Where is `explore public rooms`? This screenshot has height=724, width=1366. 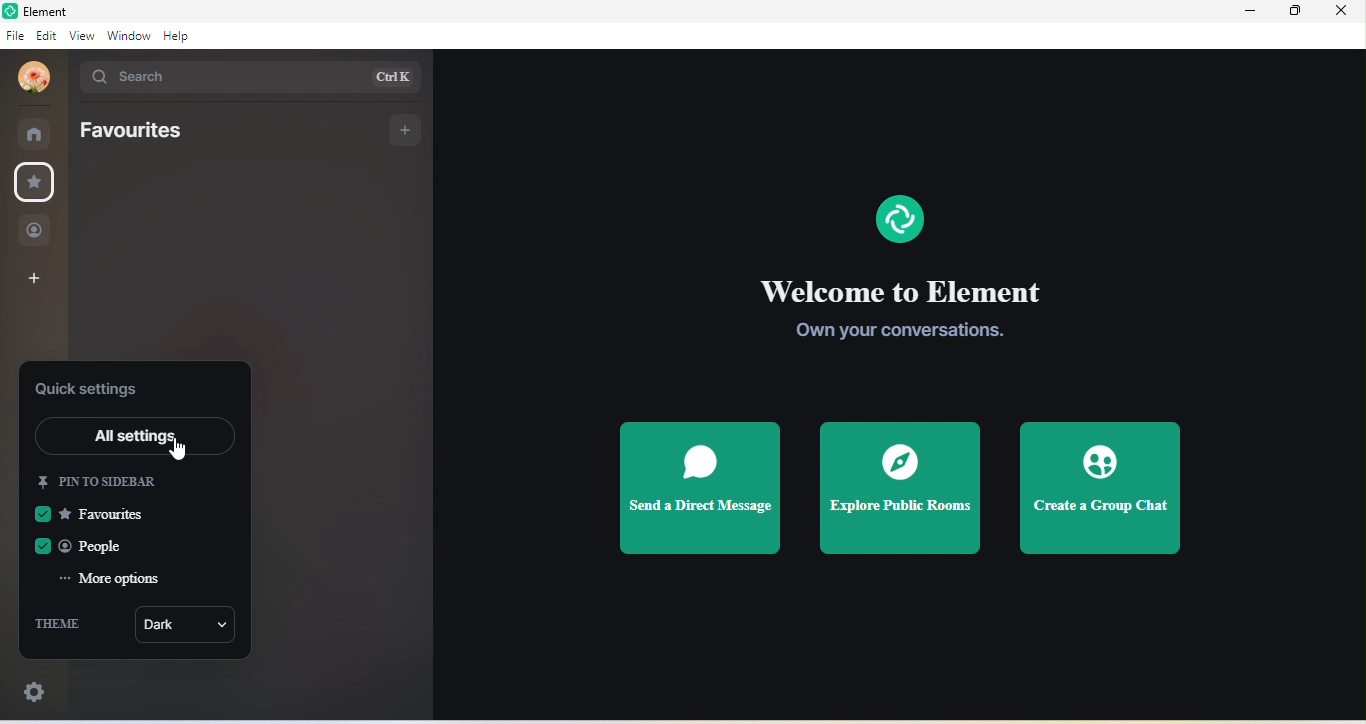
explore public rooms is located at coordinates (905, 493).